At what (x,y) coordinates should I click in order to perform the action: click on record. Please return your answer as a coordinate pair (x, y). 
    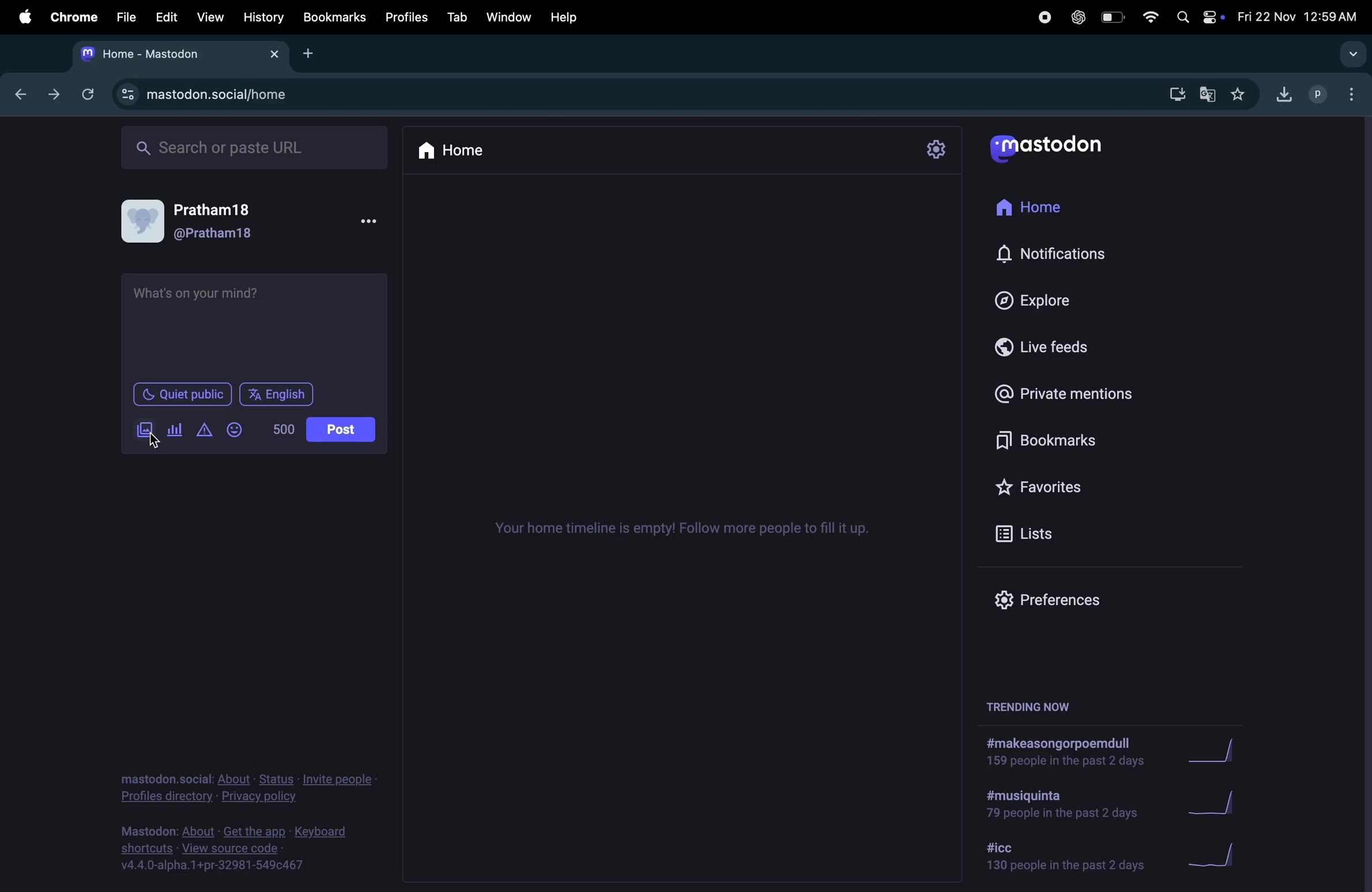
    Looking at the image, I should click on (1038, 19).